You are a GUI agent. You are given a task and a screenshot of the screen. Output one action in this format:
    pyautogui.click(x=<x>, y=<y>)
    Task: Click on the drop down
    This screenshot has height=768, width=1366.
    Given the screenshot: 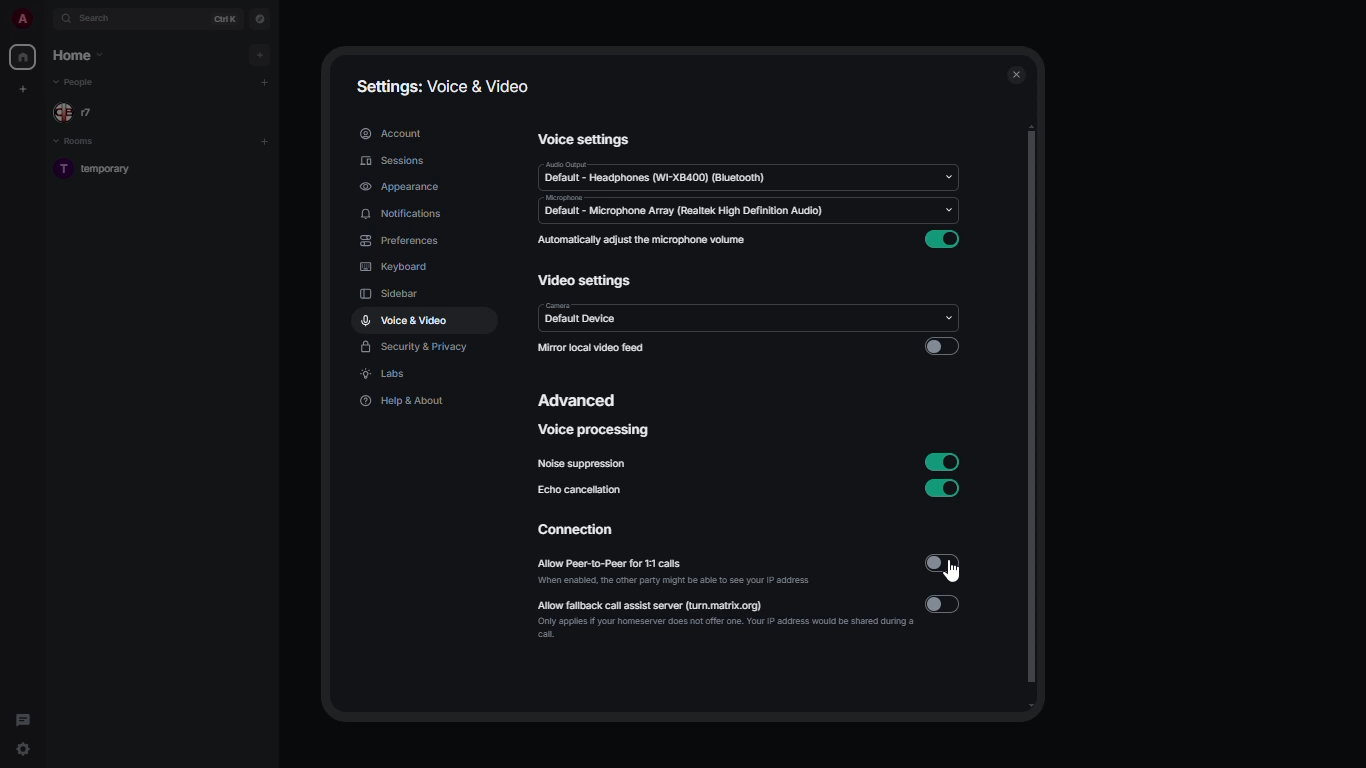 What is the action you would take?
    pyautogui.click(x=947, y=178)
    